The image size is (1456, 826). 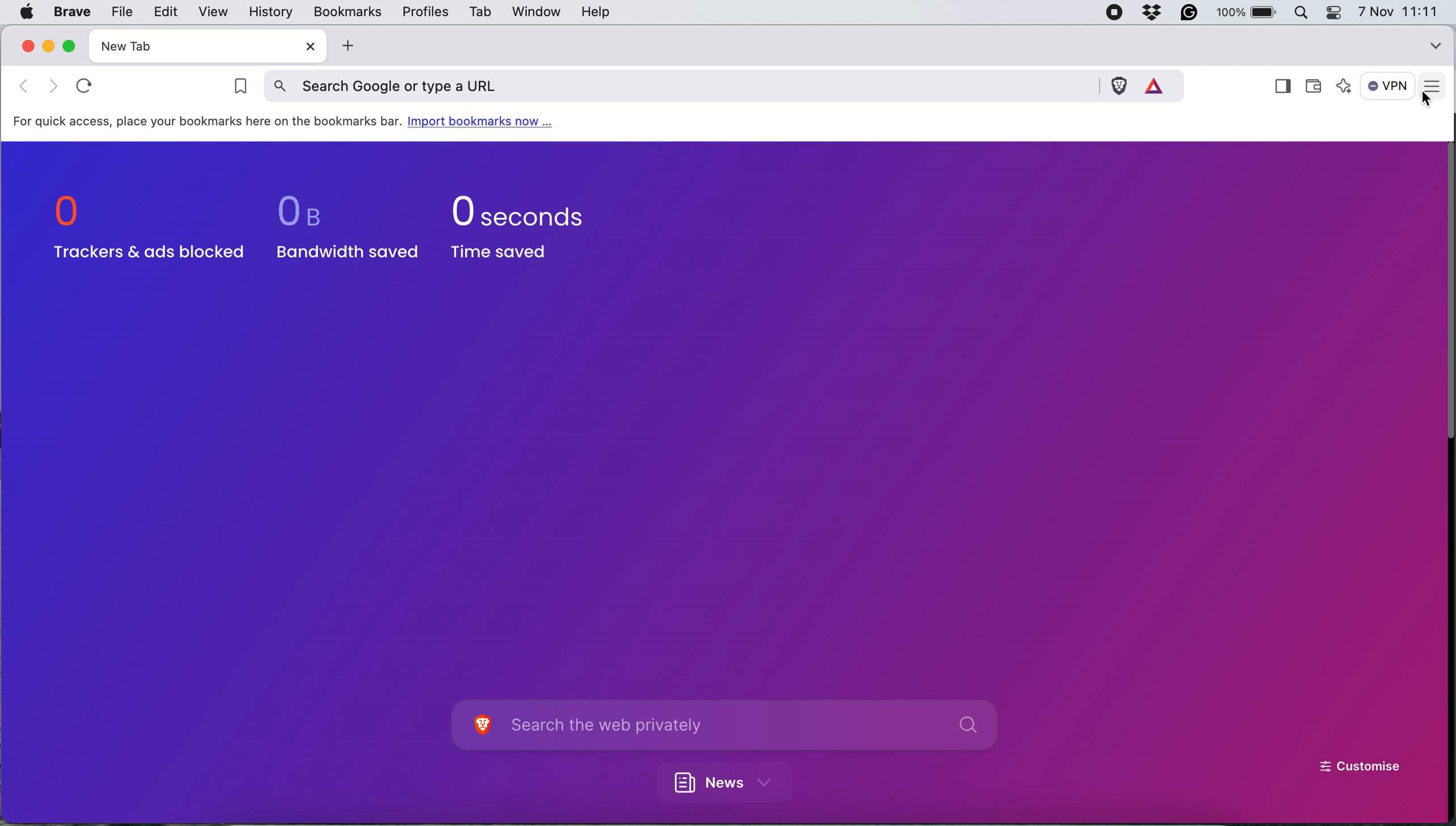 I want to click on maximise, so click(x=71, y=45).